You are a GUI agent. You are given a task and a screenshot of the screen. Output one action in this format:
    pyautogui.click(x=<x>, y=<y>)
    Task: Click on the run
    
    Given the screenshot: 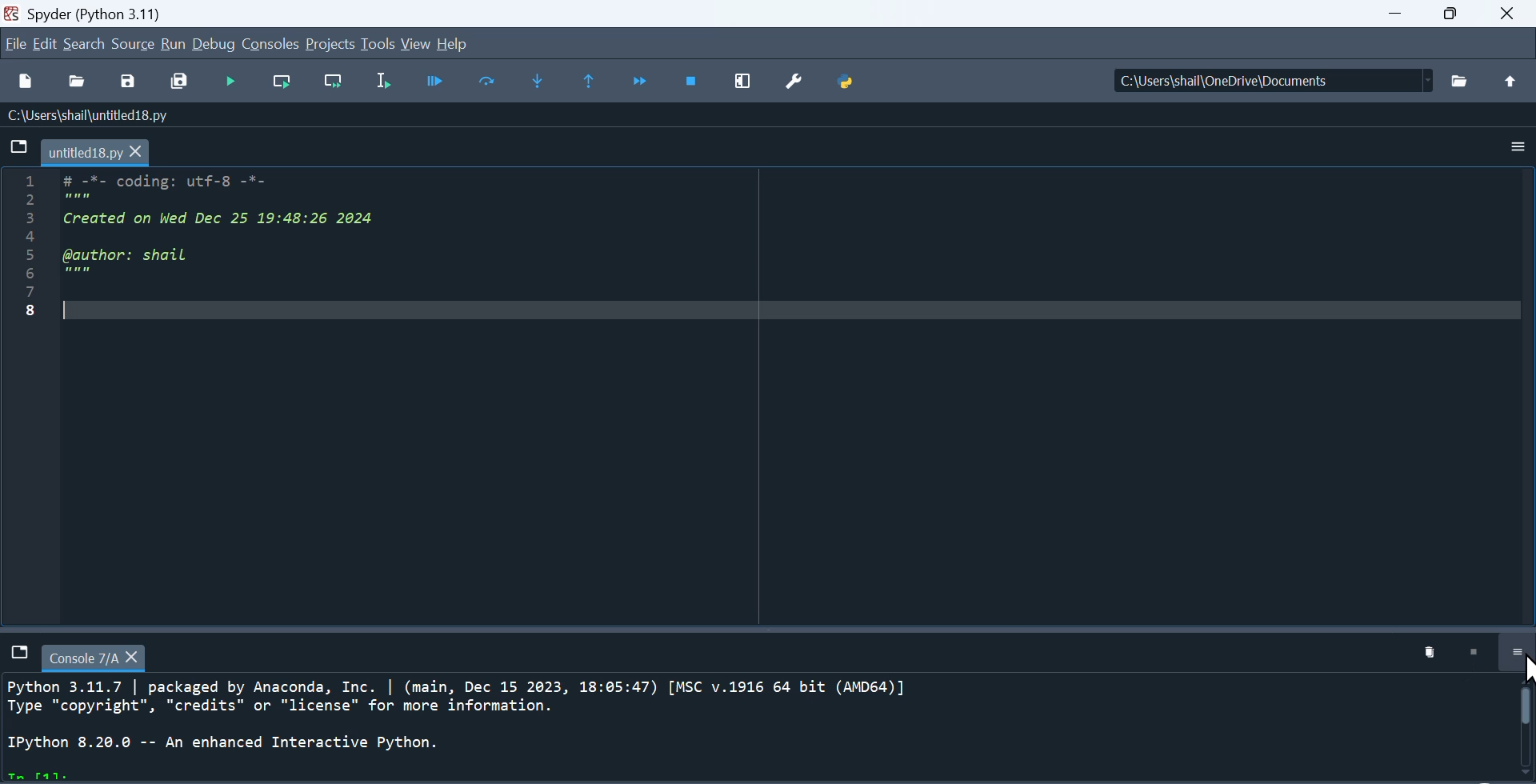 What is the action you would take?
    pyautogui.click(x=174, y=45)
    